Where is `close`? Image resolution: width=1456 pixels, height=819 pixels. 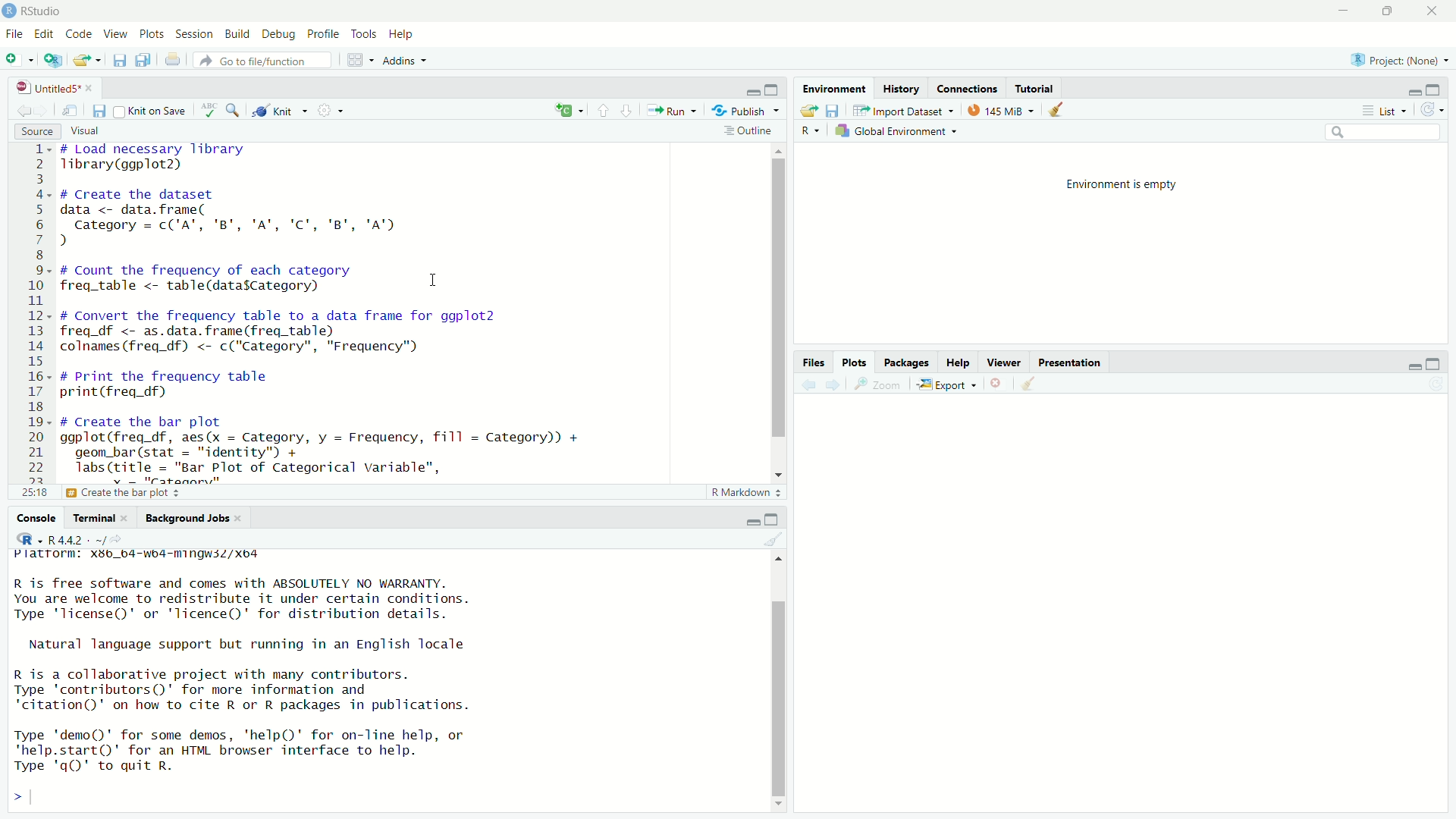 close is located at coordinates (1435, 11).